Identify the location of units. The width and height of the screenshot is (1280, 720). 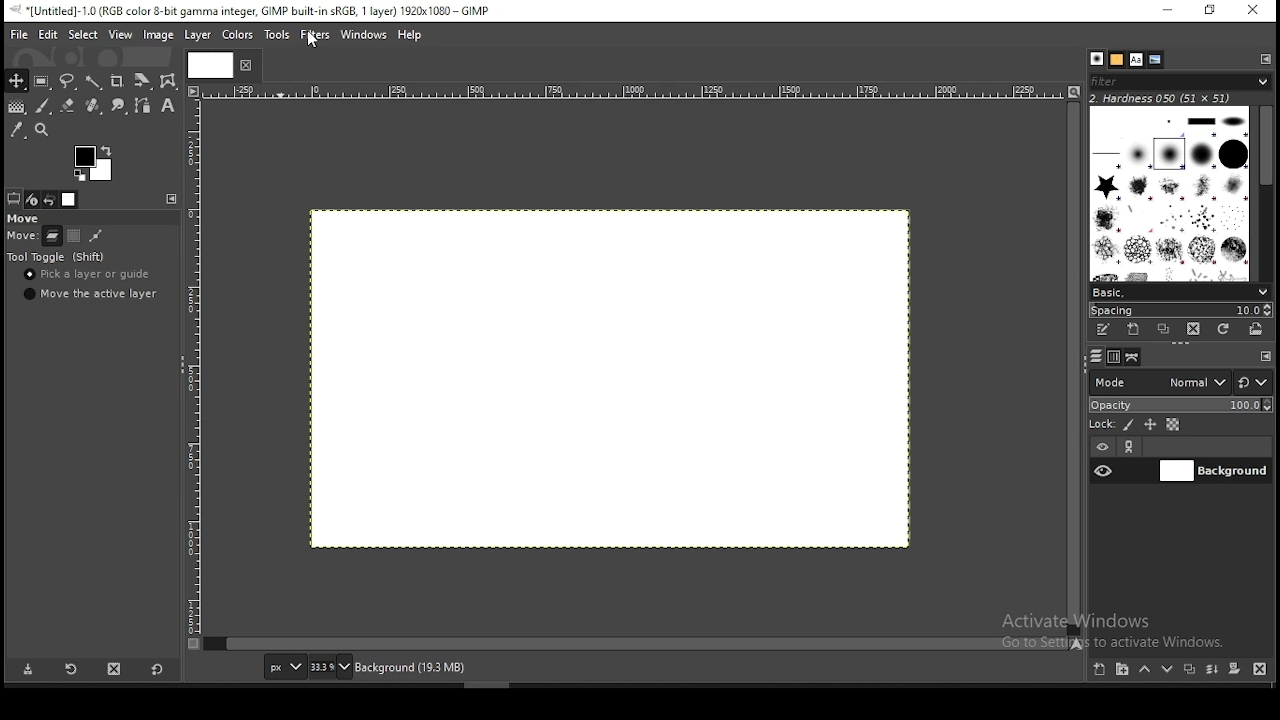
(284, 666).